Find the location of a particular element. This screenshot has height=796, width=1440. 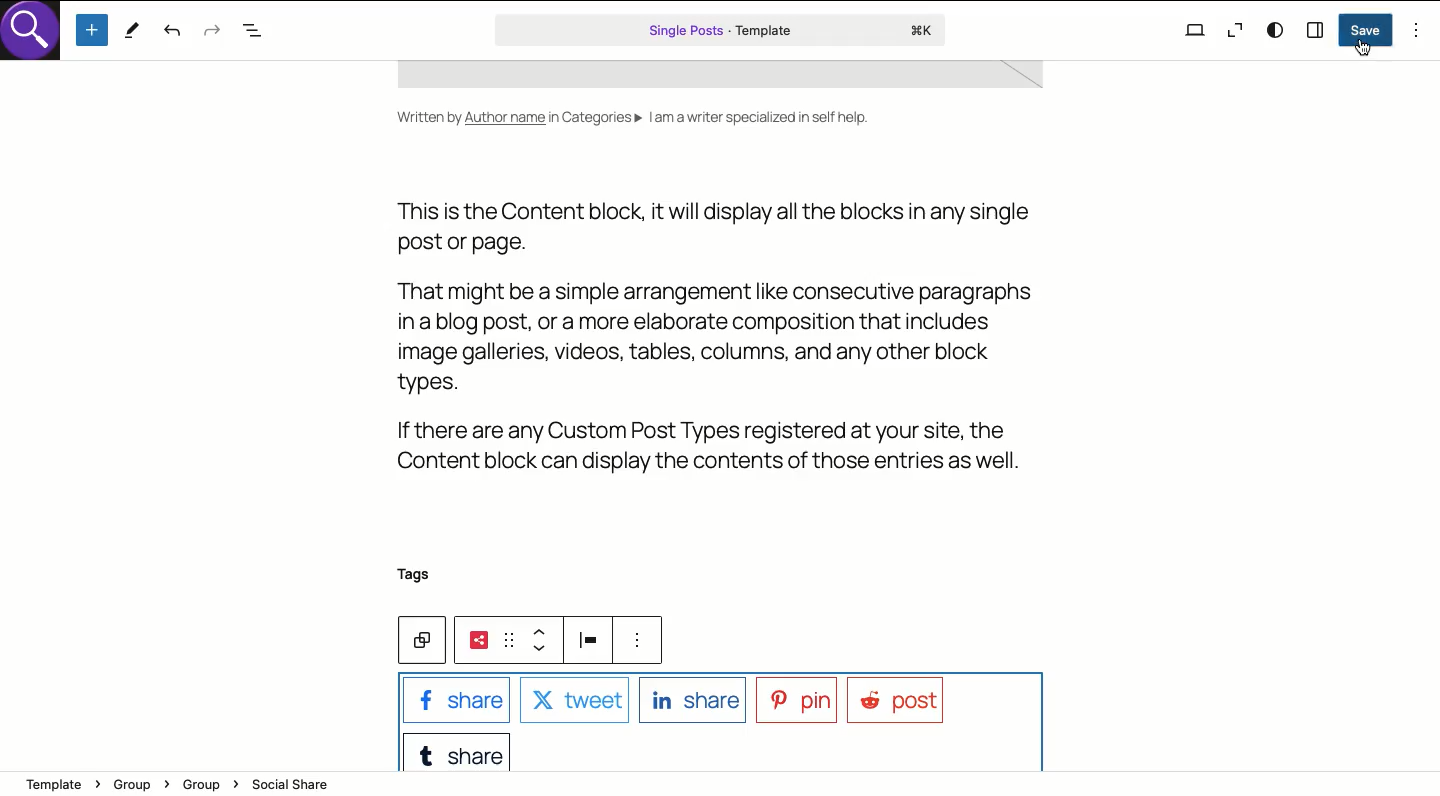

View is located at coordinates (1195, 29).